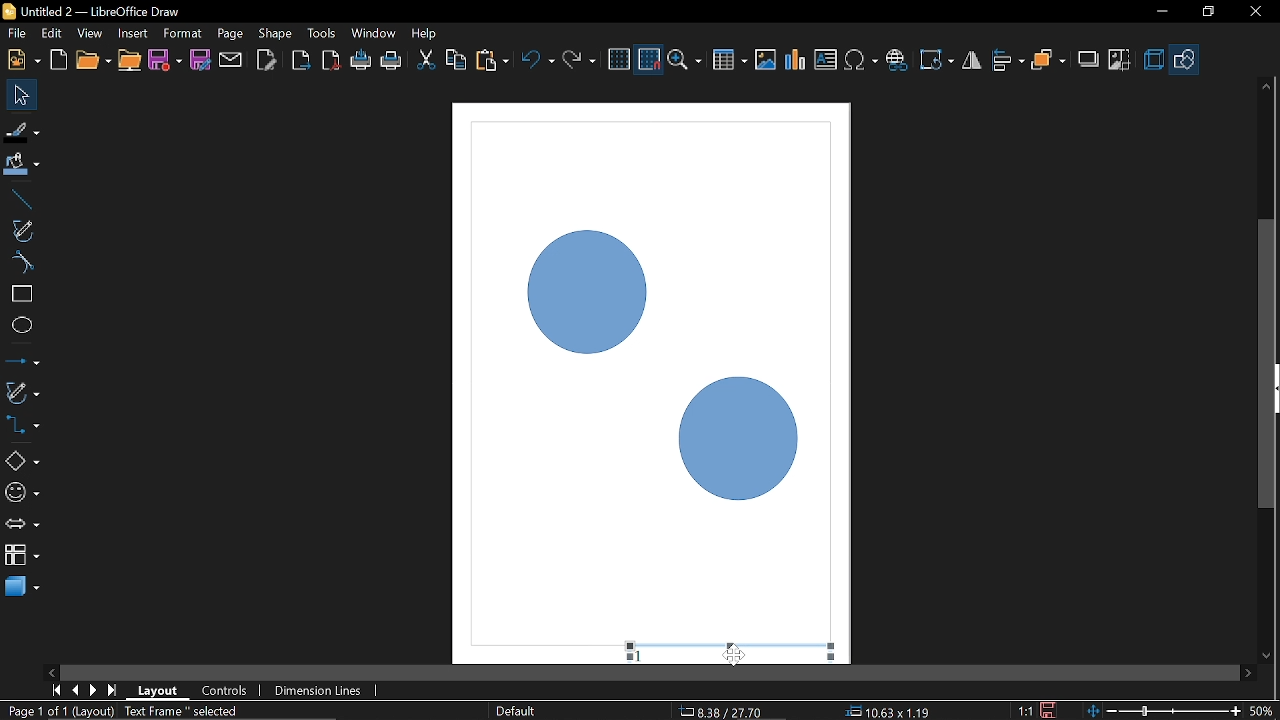 The width and height of the screenshot is (1280, 720). Describe the element at coordinates (232, 59) in the screenshot. I see `Attach` at that location.